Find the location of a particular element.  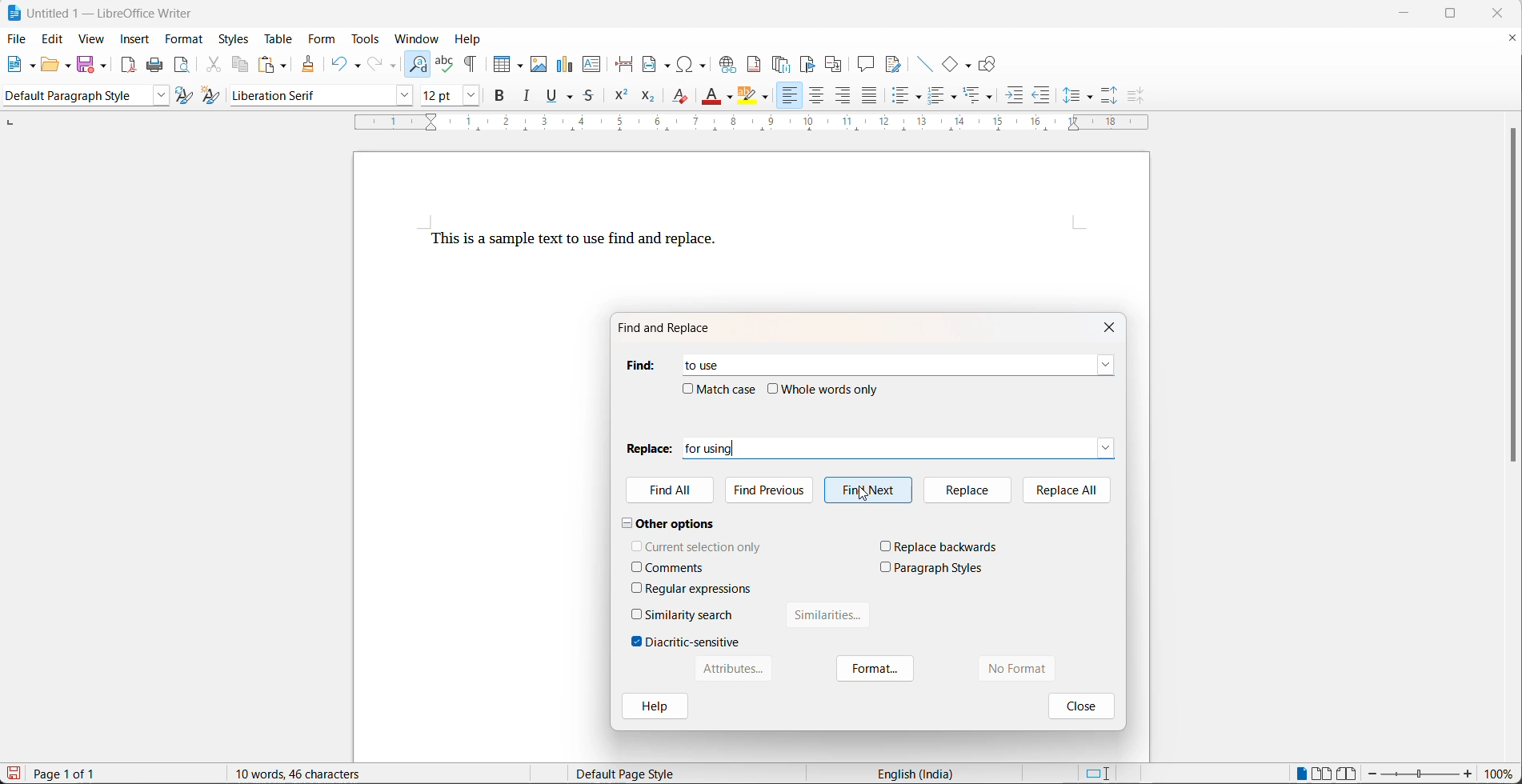

bold is located at coordinates (501, 98).